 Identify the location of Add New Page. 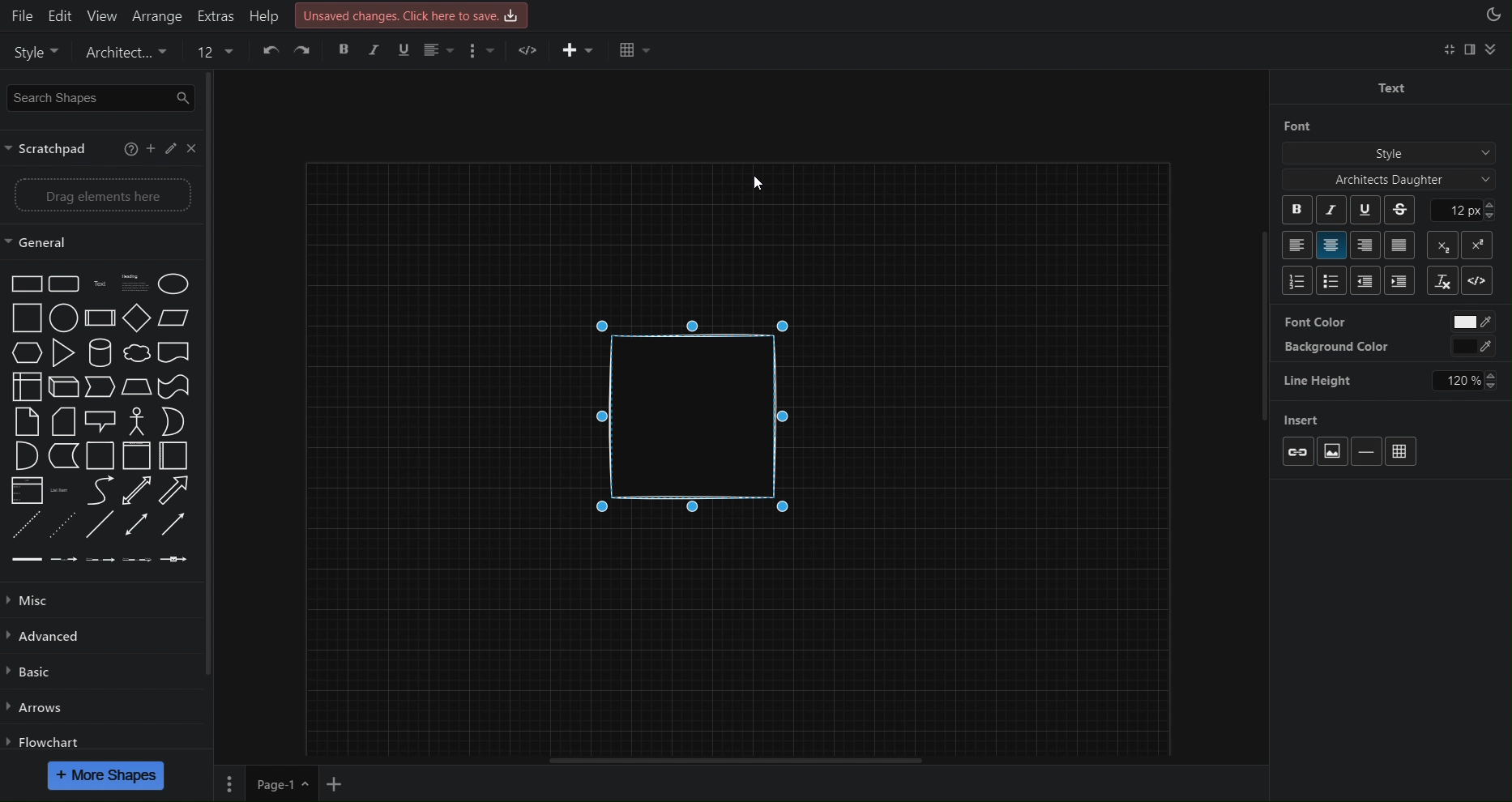
(340, 782).